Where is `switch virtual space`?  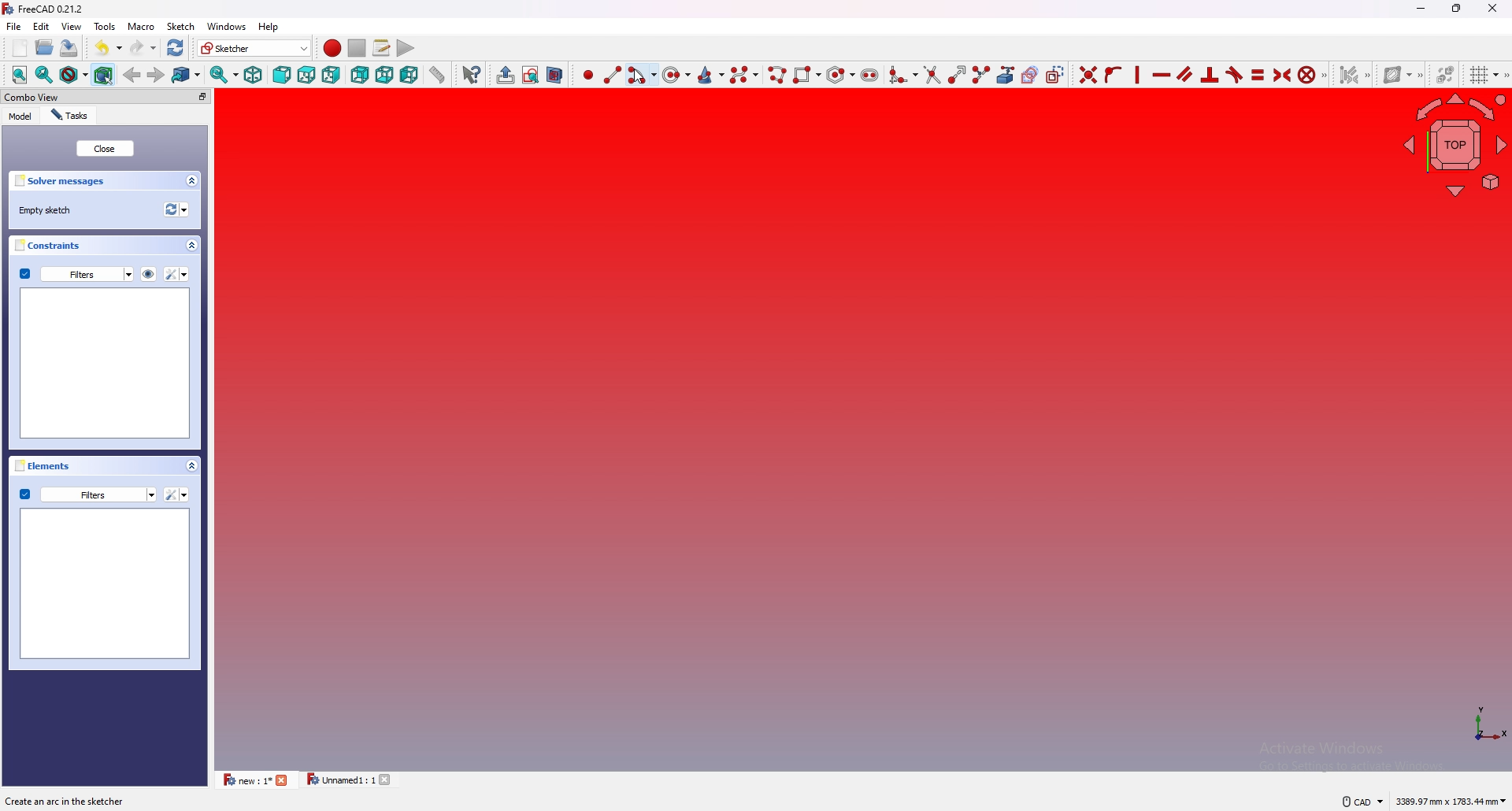
switch virtual space is located at coordinates (1445, 74).